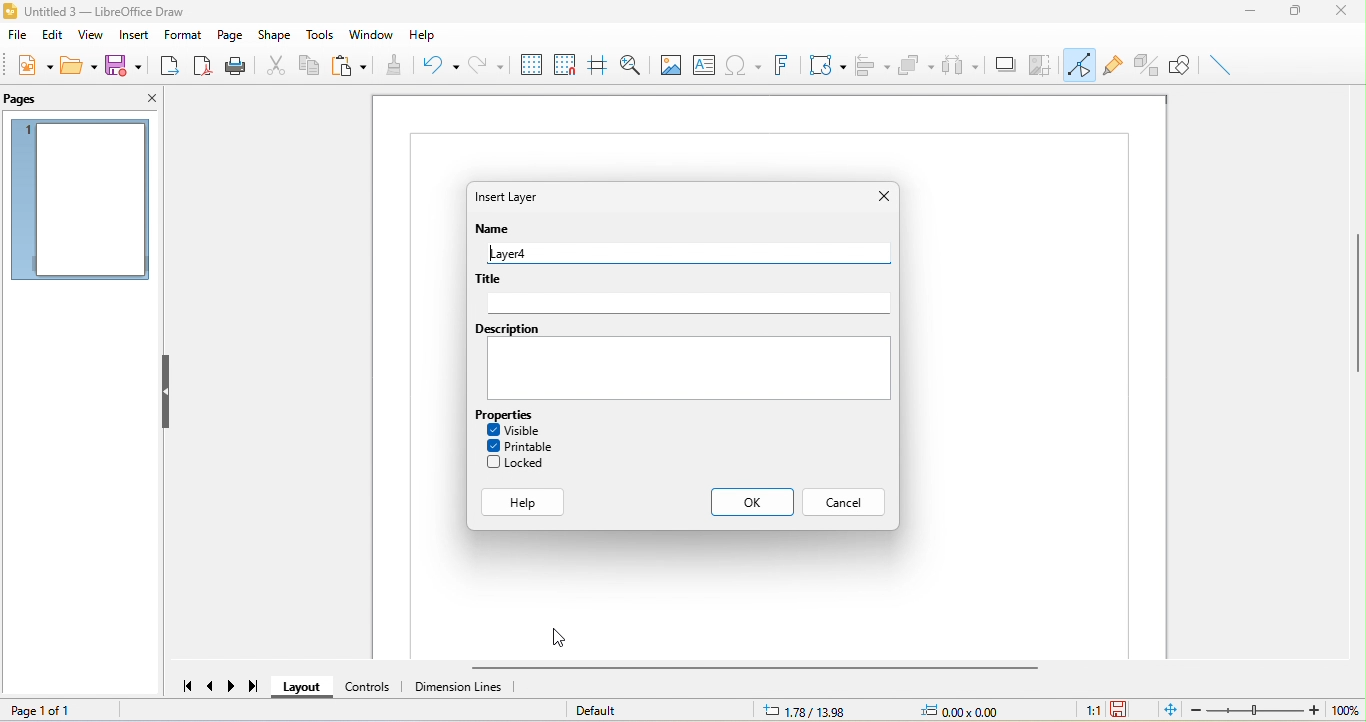  I want to click on Description, so click(506, 329).